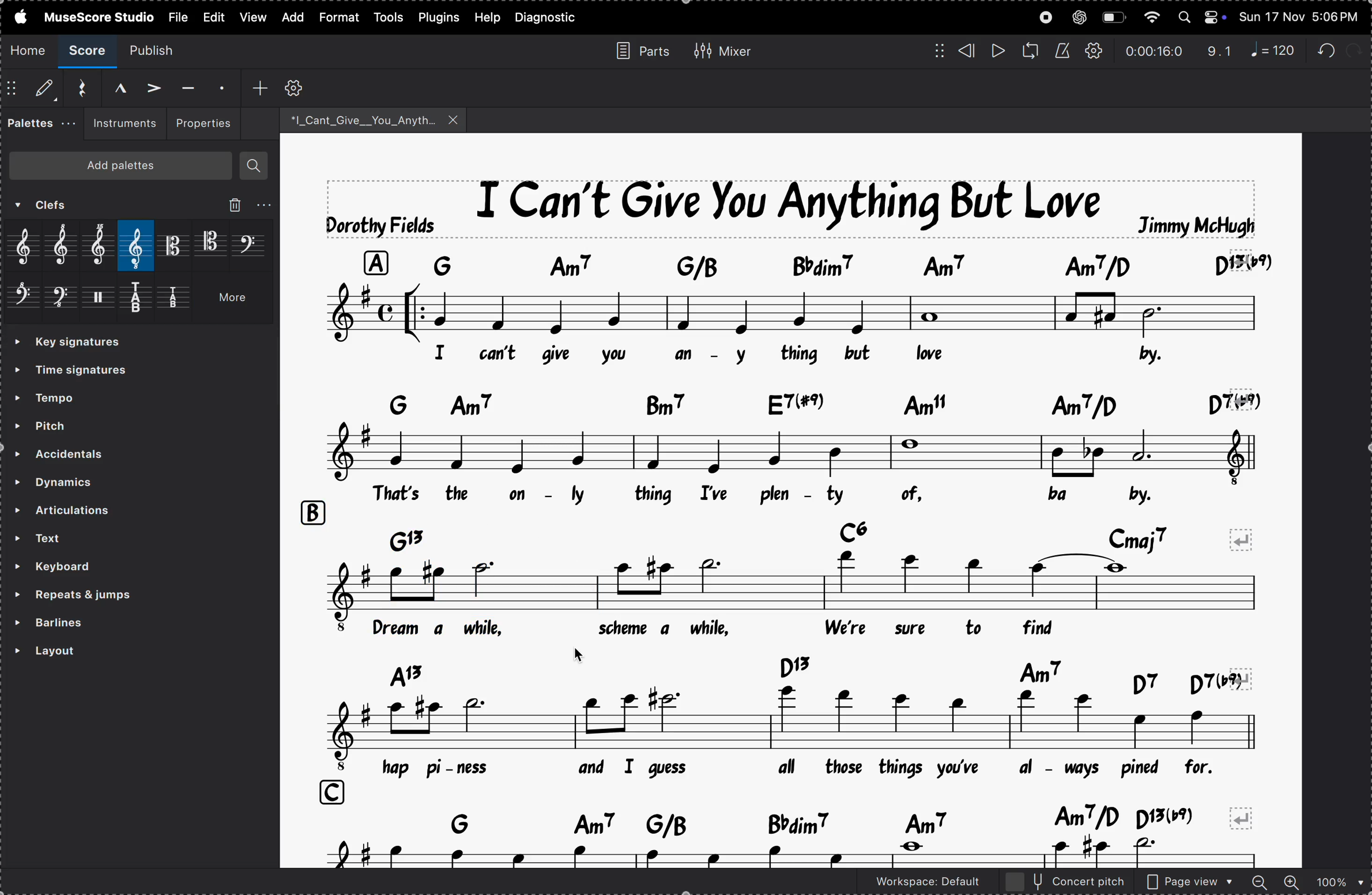  Describe the element at coordinates (101, 623) in the screenshot. I see `barlines` at that location.